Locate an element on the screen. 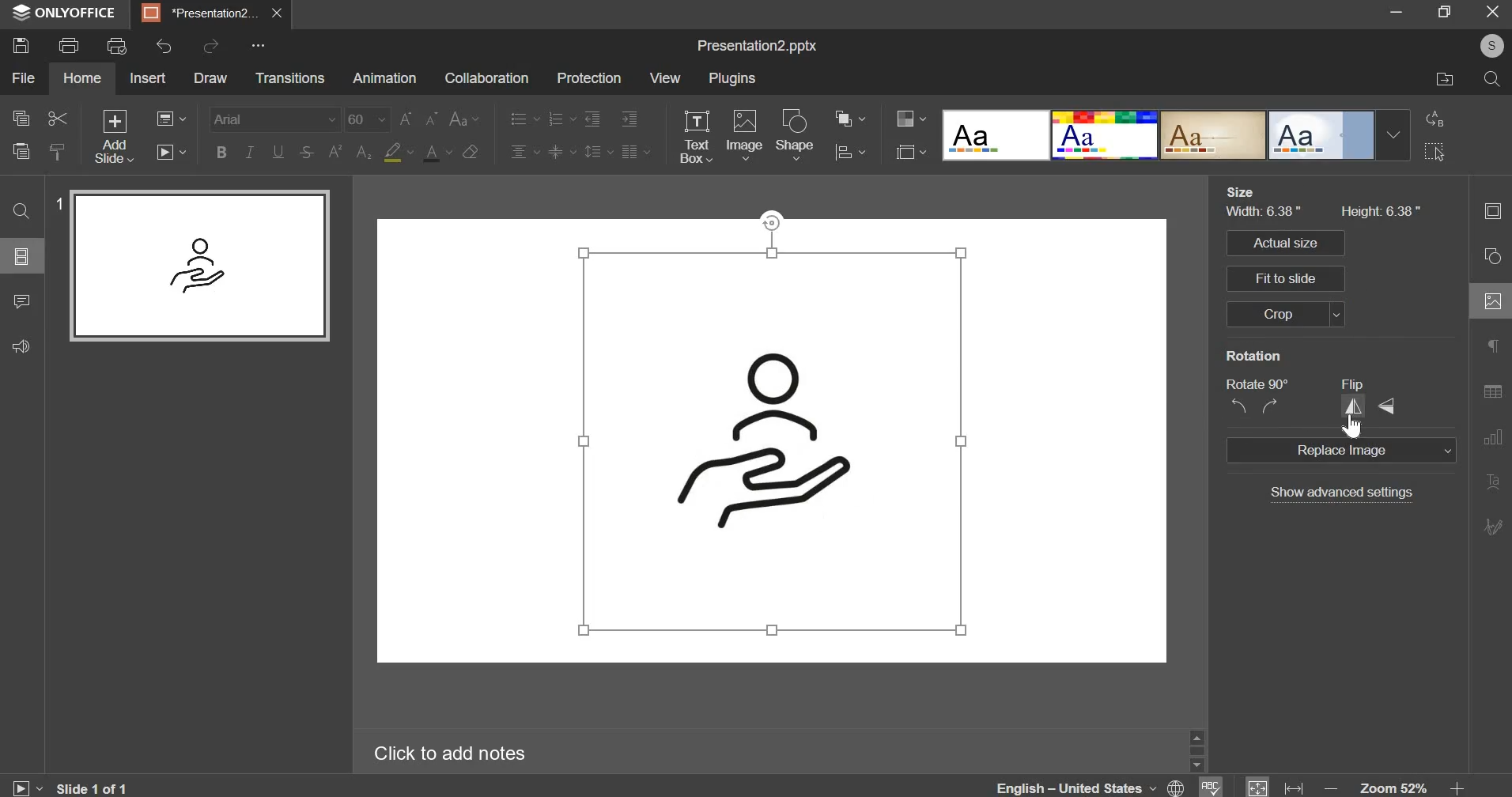  file location is located at coordinates (1443, 81).